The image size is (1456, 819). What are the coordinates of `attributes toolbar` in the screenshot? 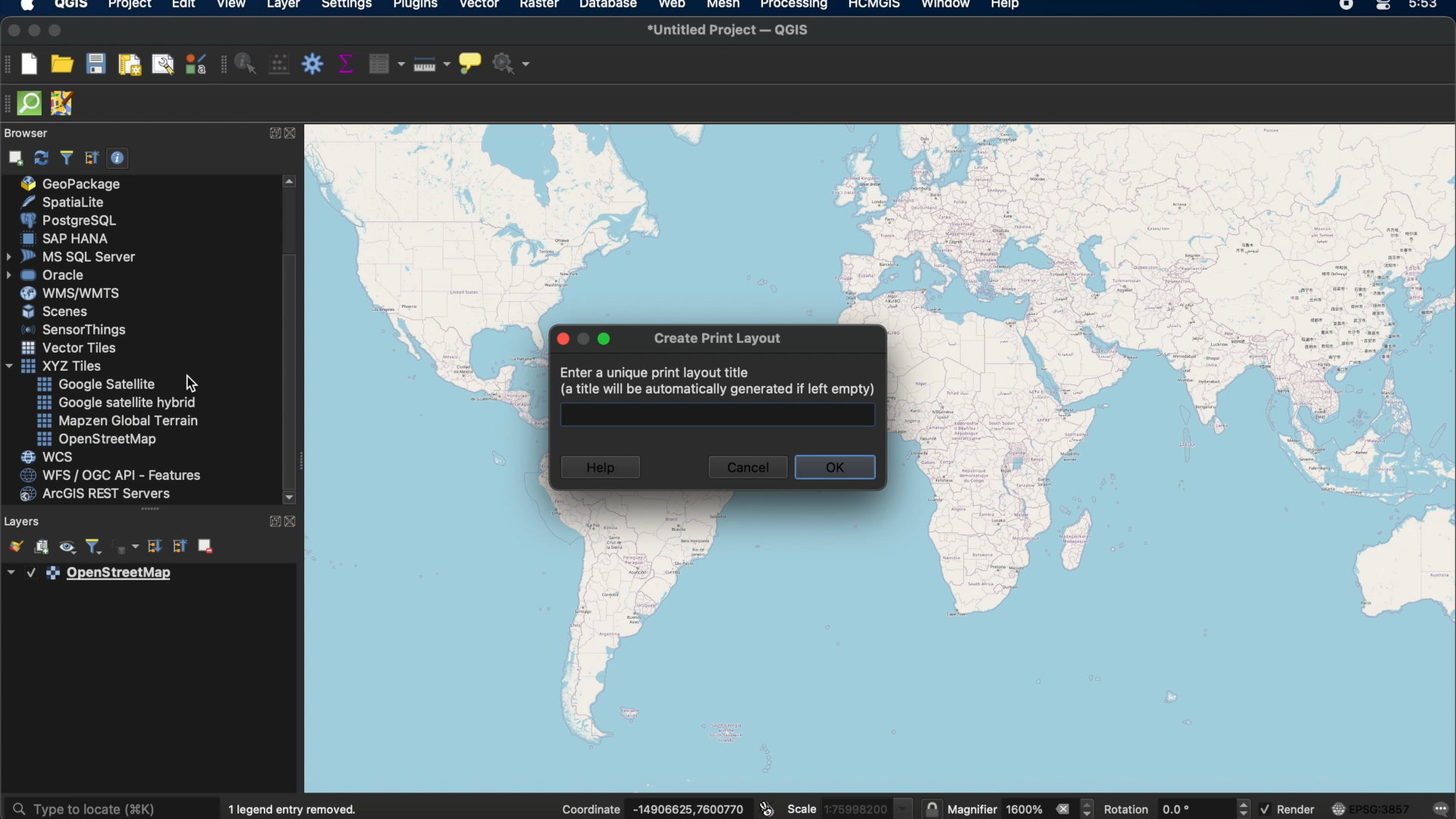 It's located at (220, 65).